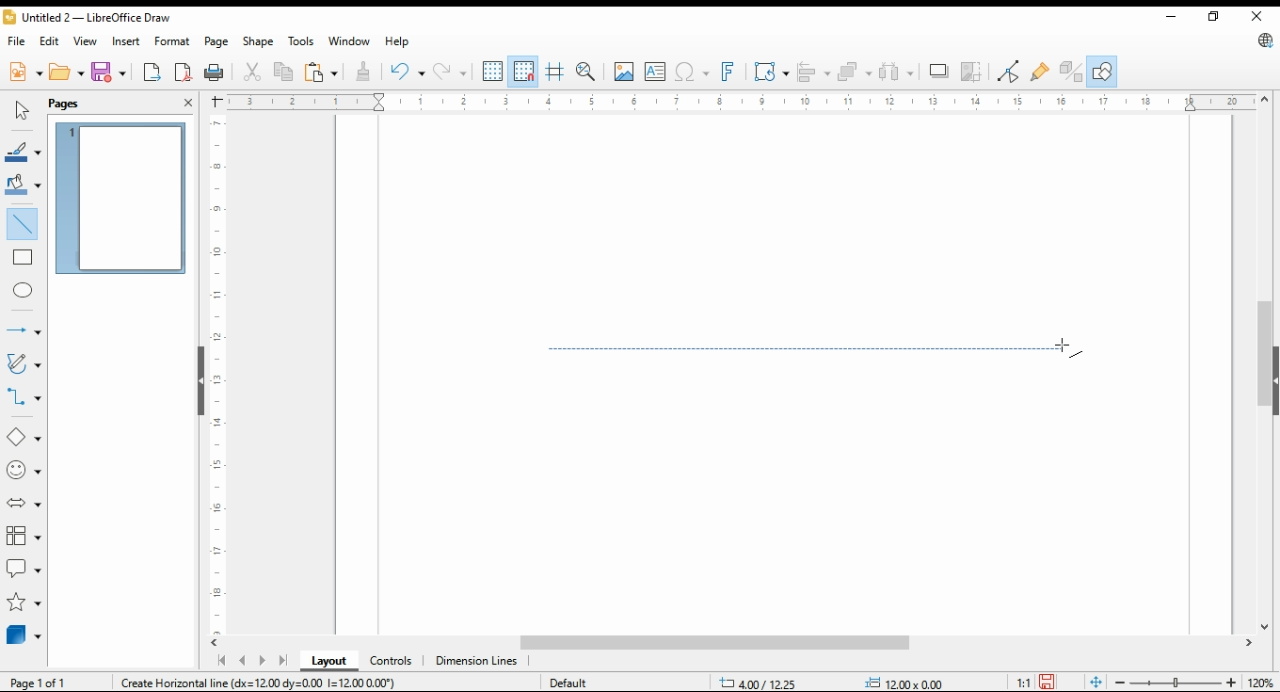 The width and height of the screenshot is (1280, 692). Describe the element at coordinates (567, 682) in the screenshot. I see `default` at that location.